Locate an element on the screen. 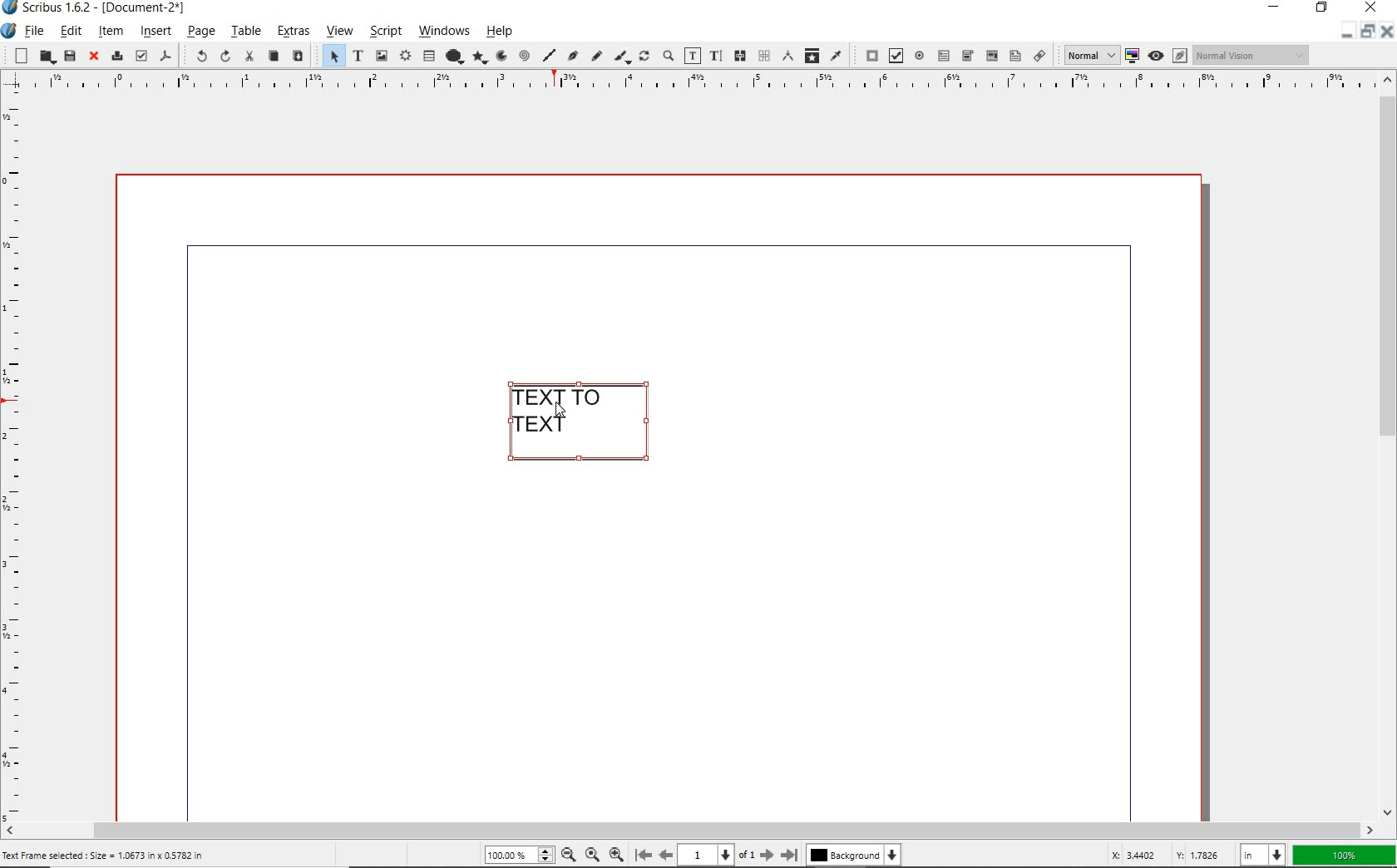 Image resolution: width=1397 pixels, height=868 pixels. spiral is located at coordinates (523, 55).